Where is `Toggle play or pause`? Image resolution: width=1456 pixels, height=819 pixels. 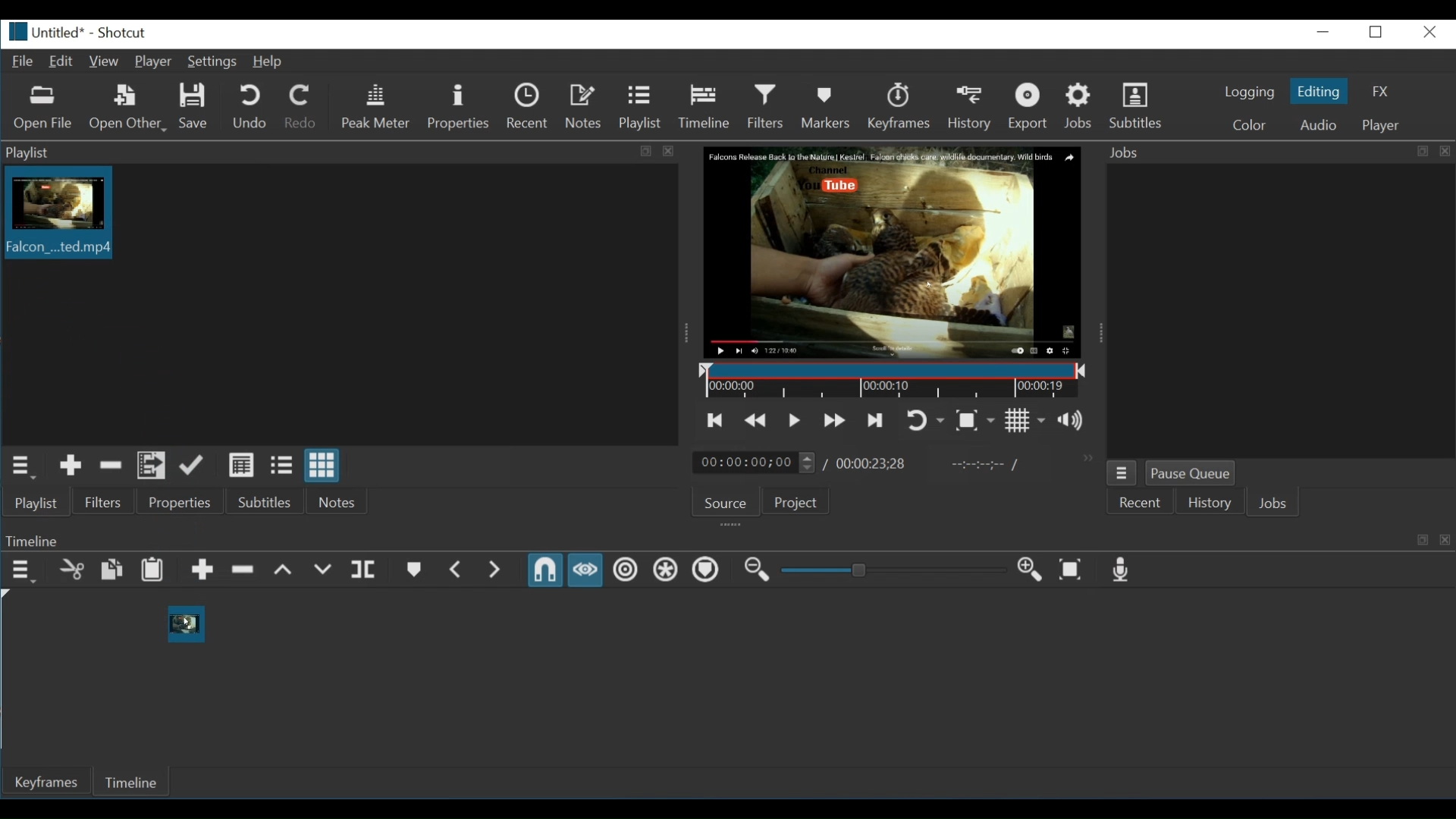 Toggle play or pause is located at coordinates (794, 421).